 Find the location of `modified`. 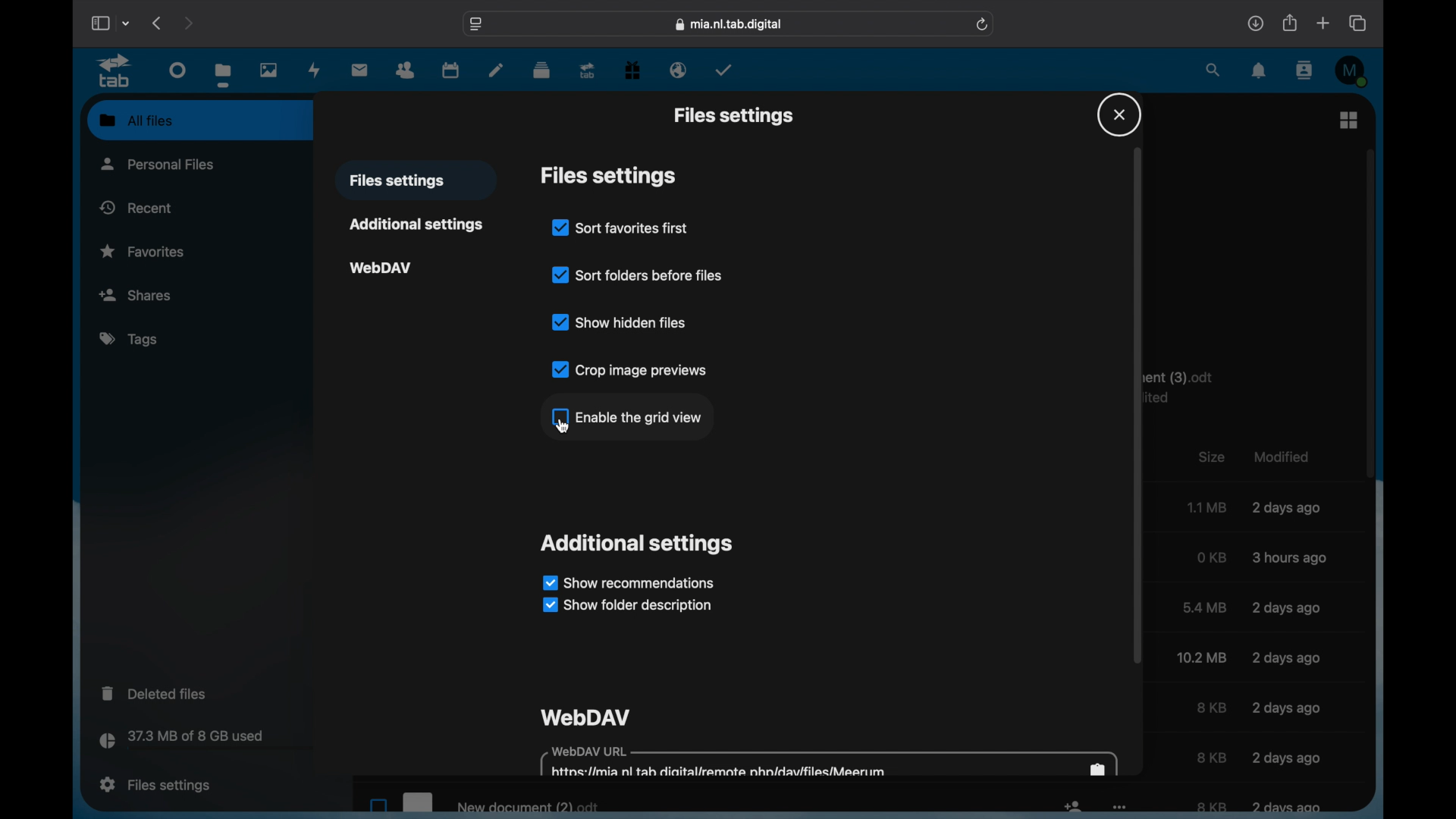

modified is located at coordinates (1291, 557).